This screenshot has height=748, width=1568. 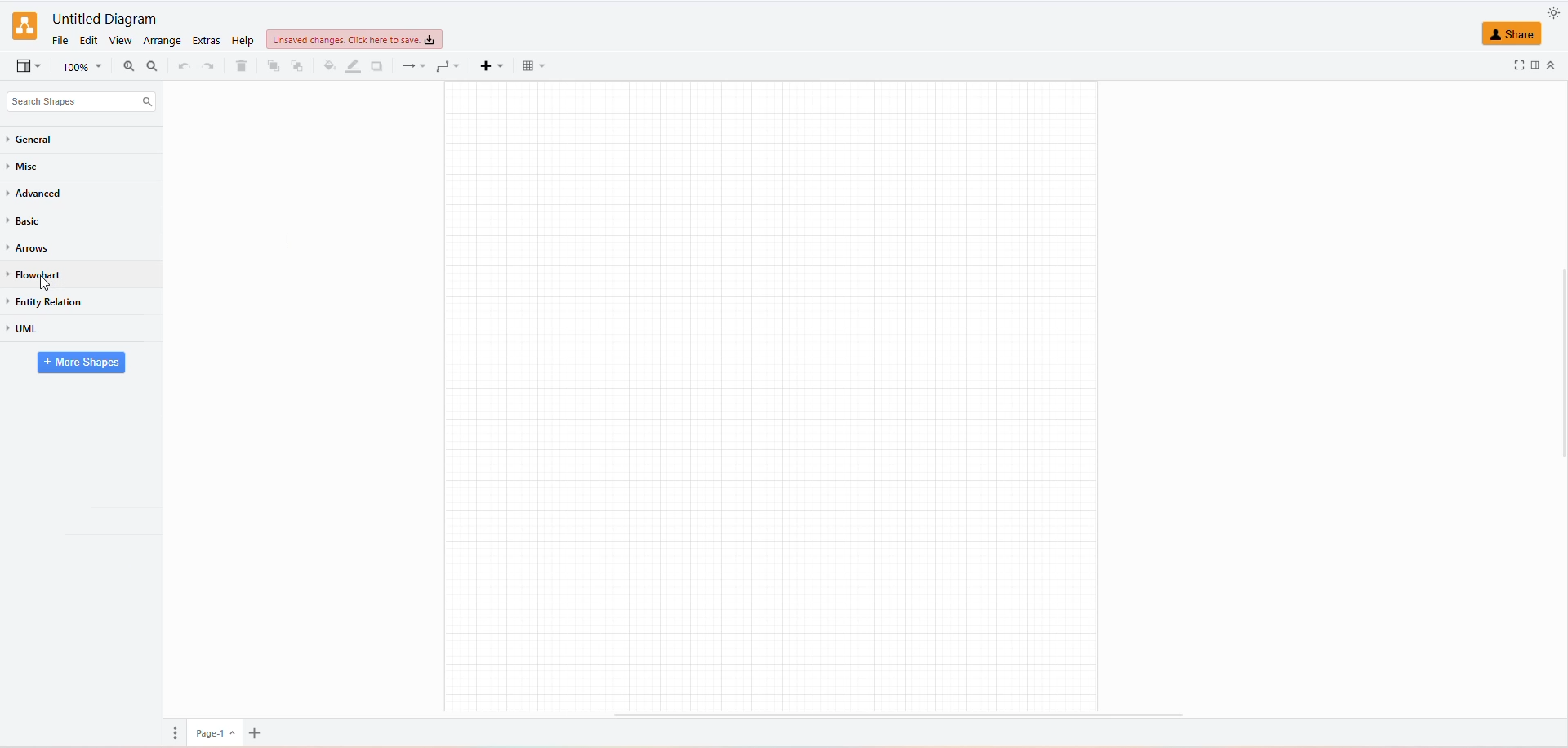 I want to click on DELETE, so click(x=241, y=68).